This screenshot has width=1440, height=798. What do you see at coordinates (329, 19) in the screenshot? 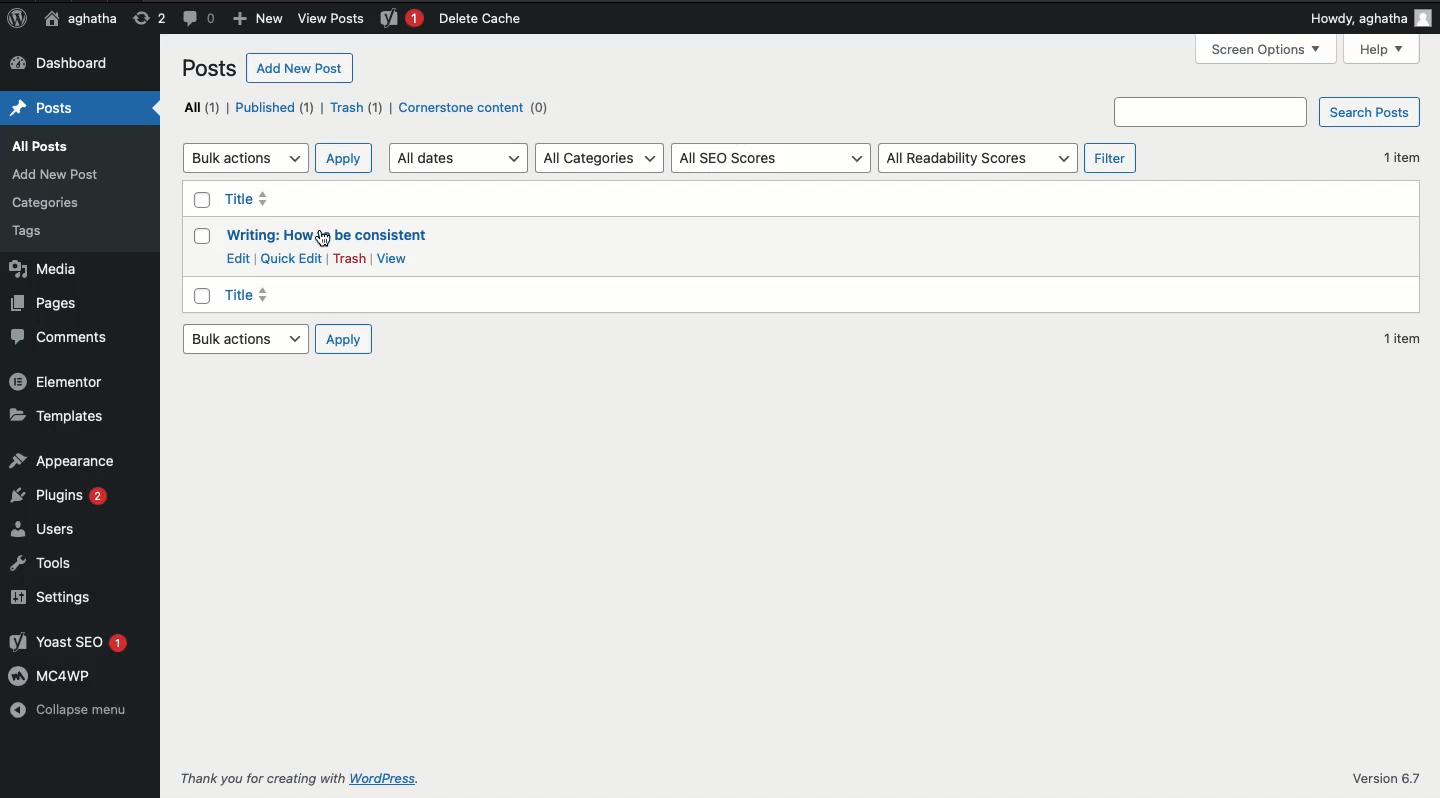
I see `View Posts` at bounding box center [329, 19].